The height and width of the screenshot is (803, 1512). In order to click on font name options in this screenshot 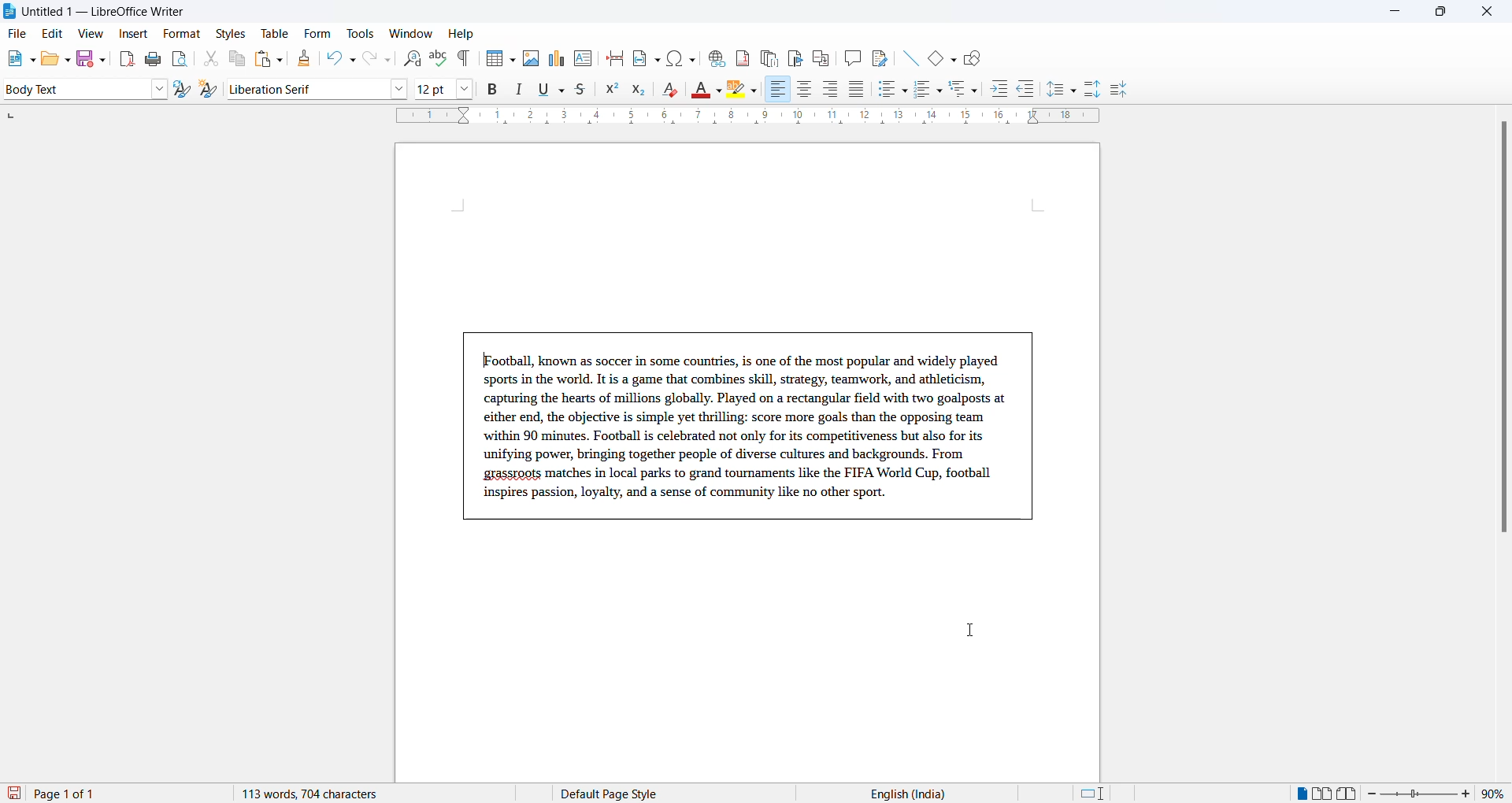, I will do `click(399, 88)`.